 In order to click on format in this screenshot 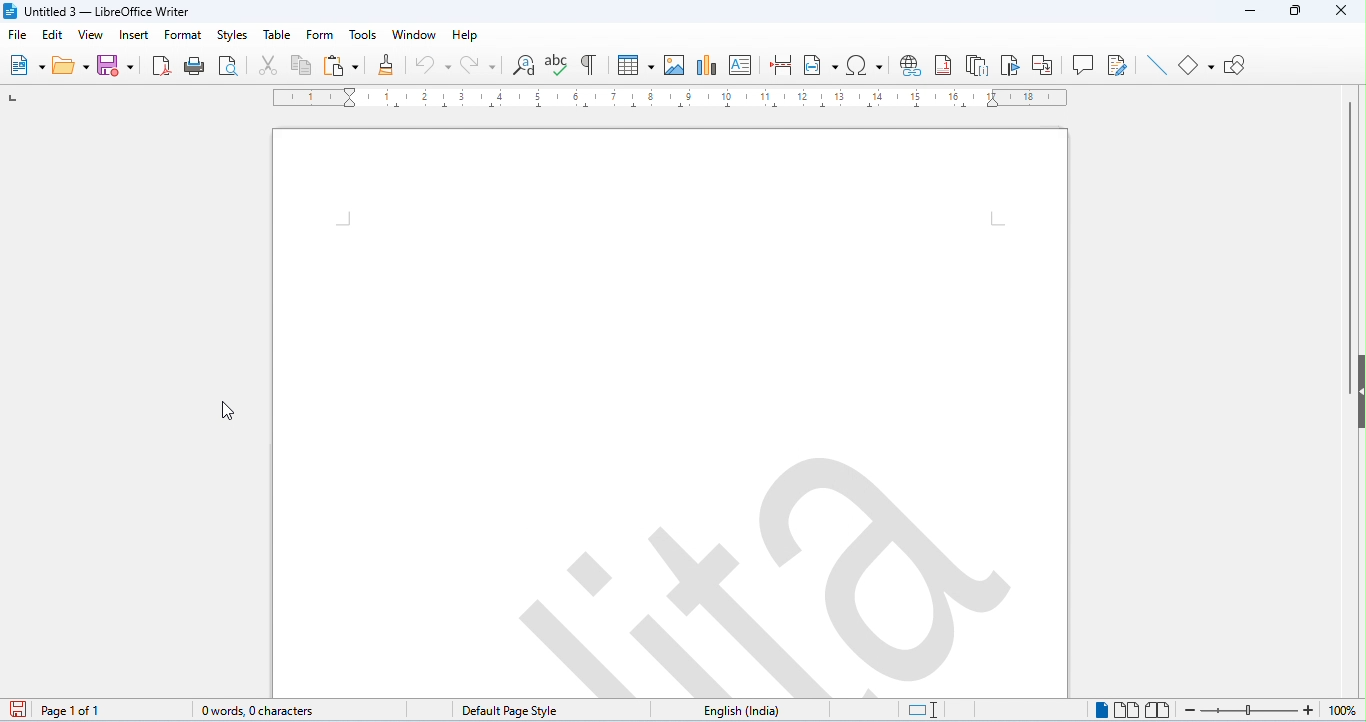, I will do `click(181, 36)`.